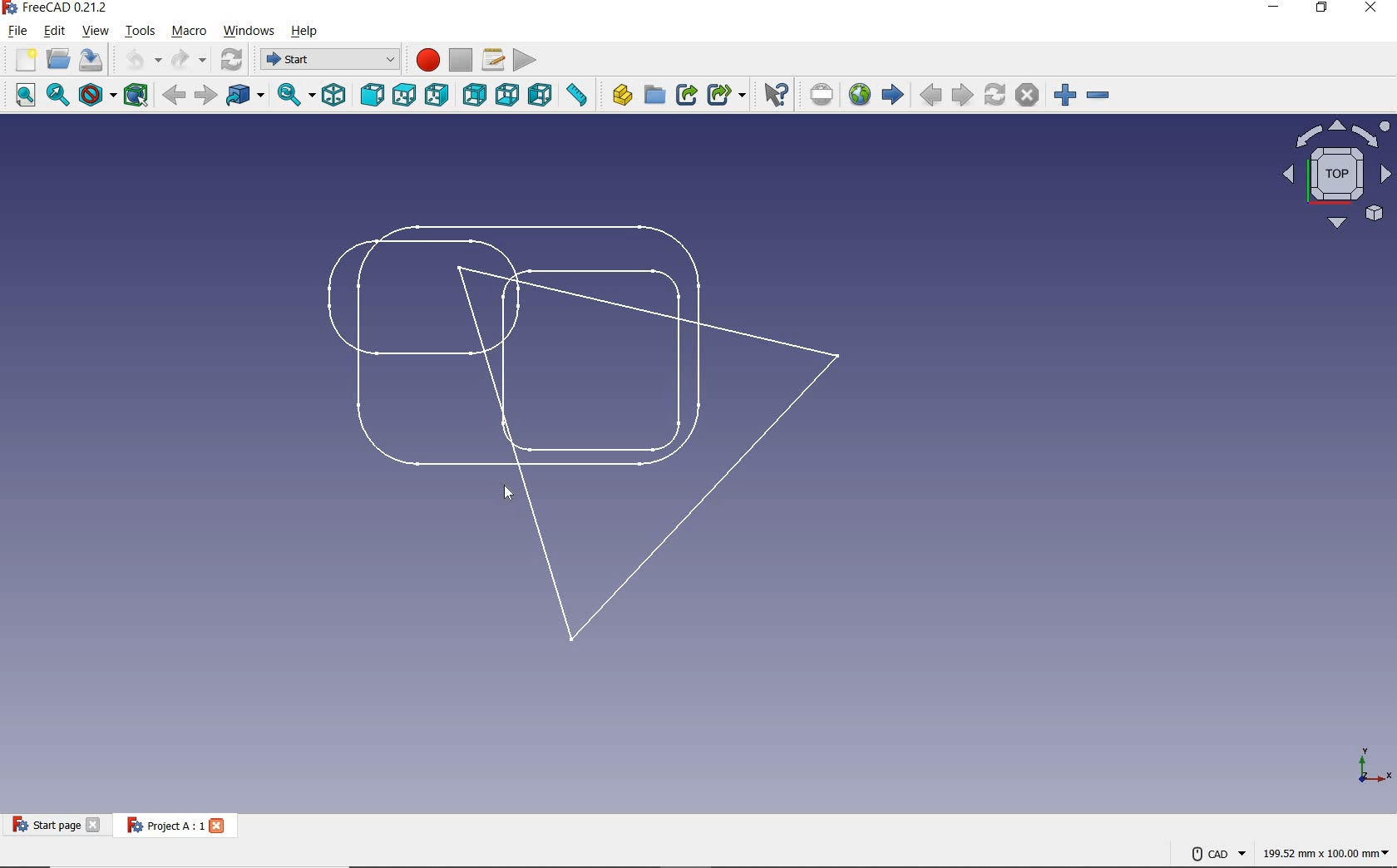  Describe the element at coordinates (619, 94) in the screenshot. I see `CREATE PART` at that location.